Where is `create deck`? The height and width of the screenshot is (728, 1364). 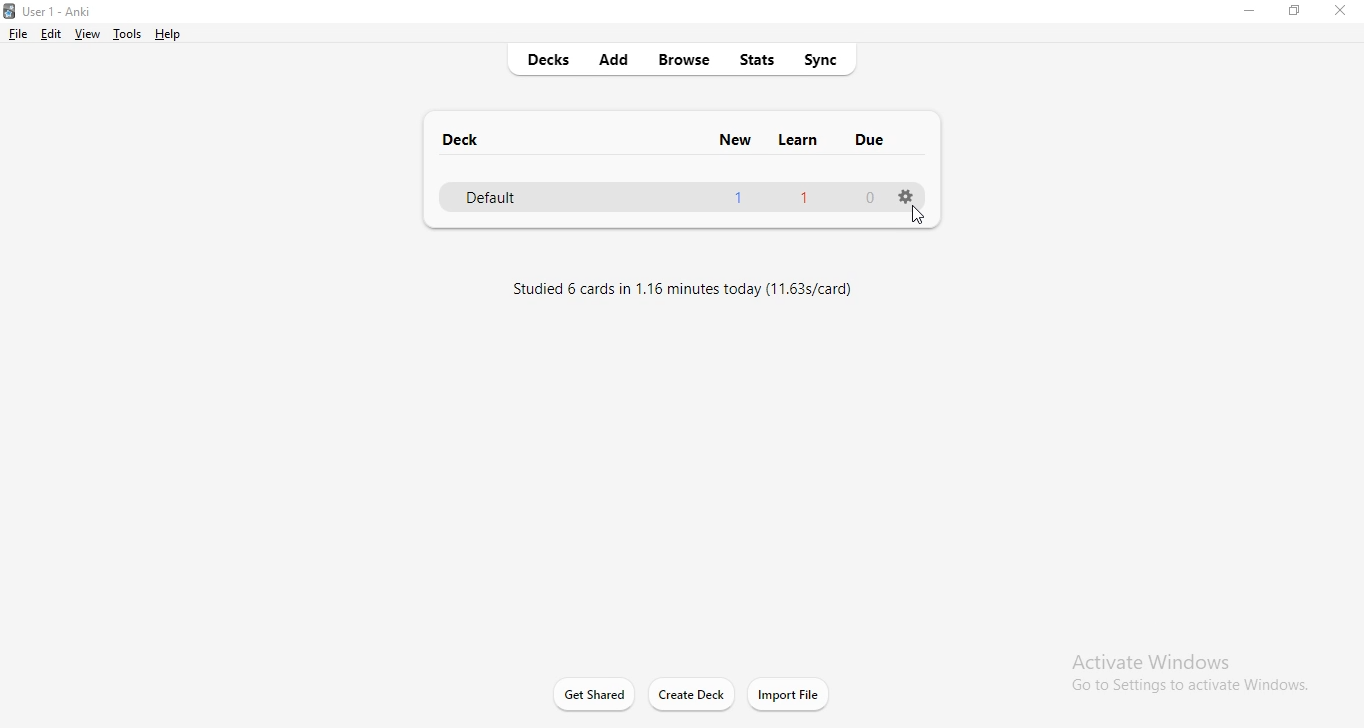 create deck is located at coordinates (702, 693).